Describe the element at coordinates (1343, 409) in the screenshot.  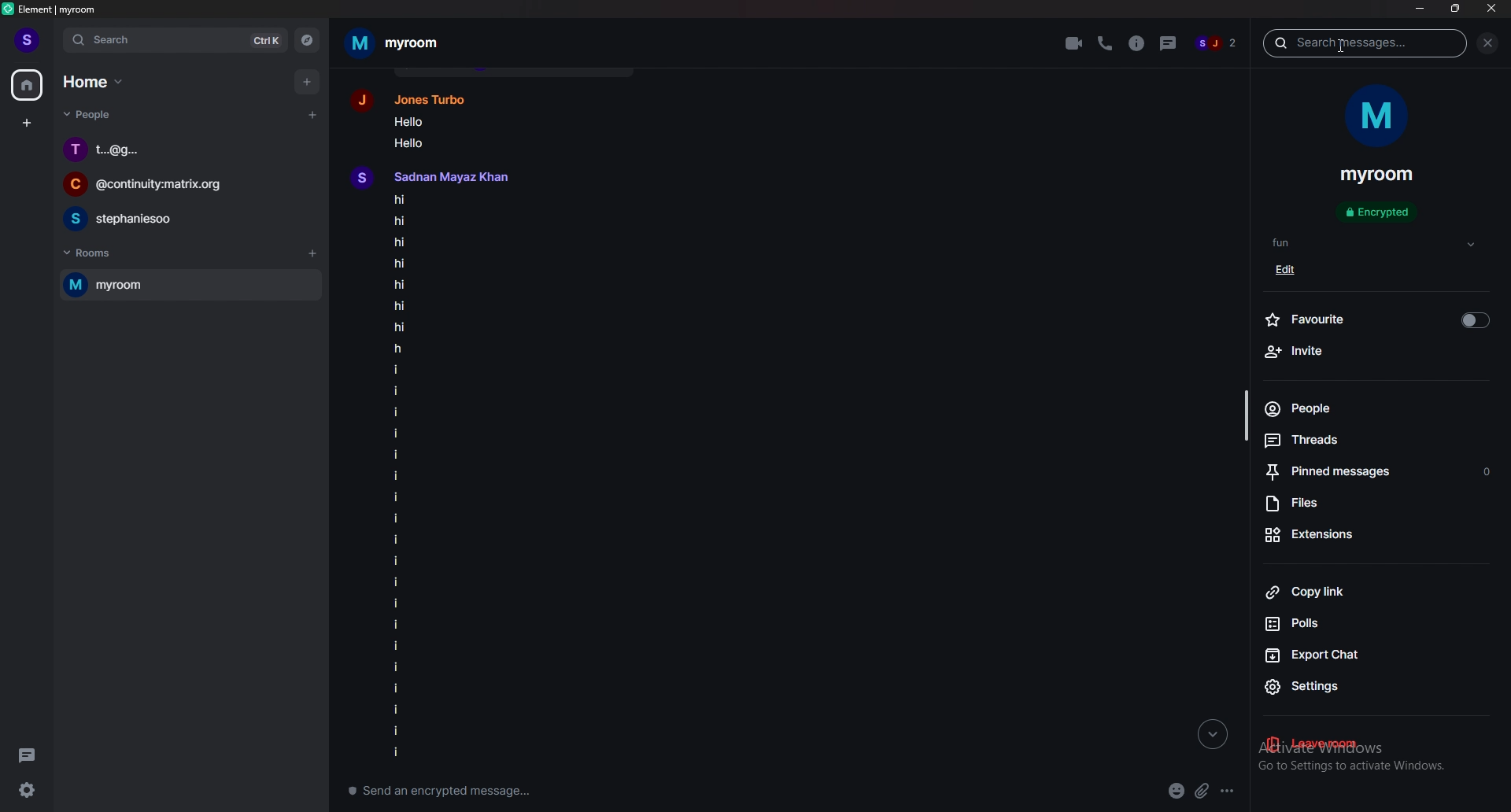
I see `people` at that location.